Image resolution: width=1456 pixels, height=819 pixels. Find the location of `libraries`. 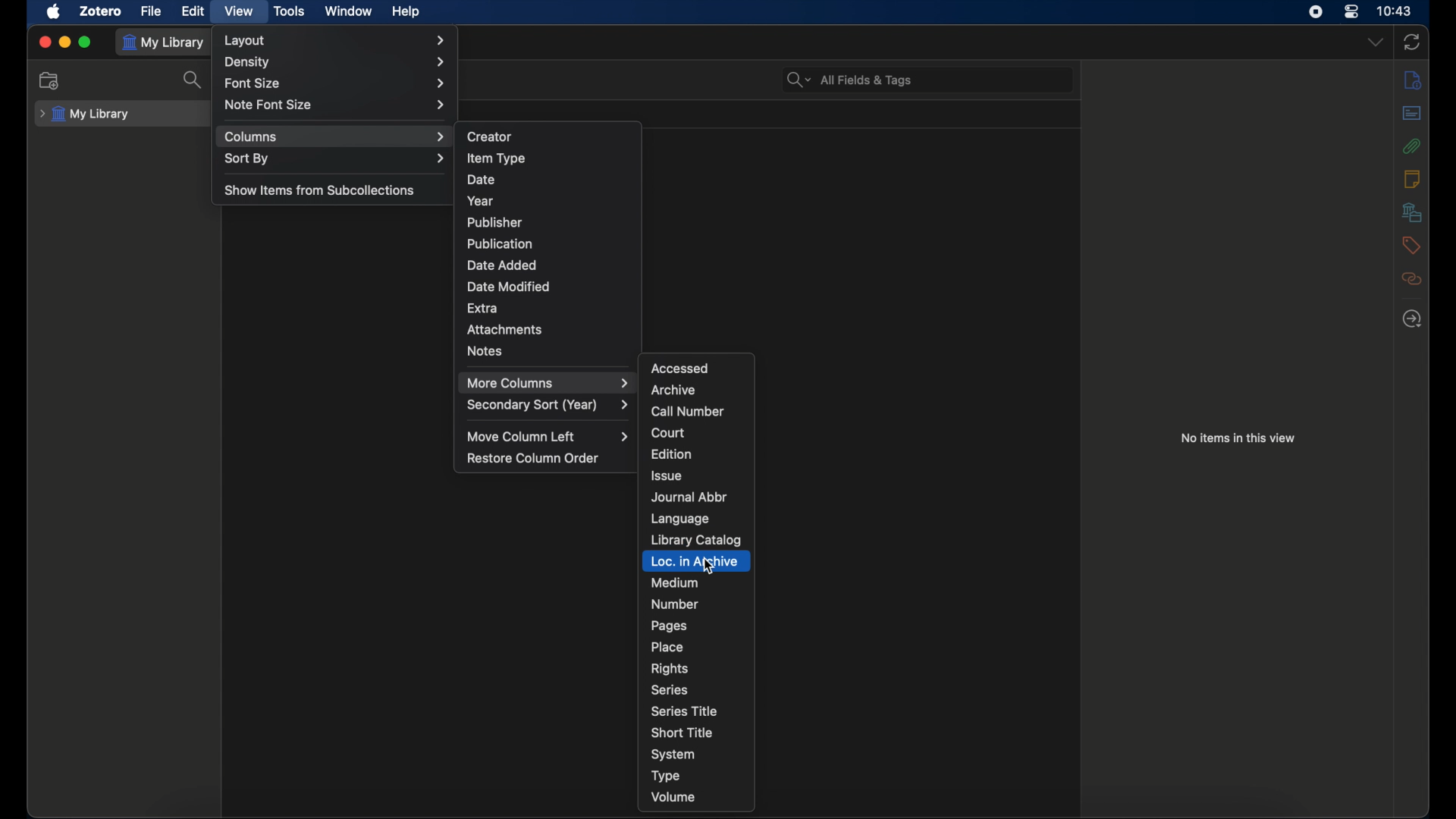

libraries is located at coordinates (1411, 212).